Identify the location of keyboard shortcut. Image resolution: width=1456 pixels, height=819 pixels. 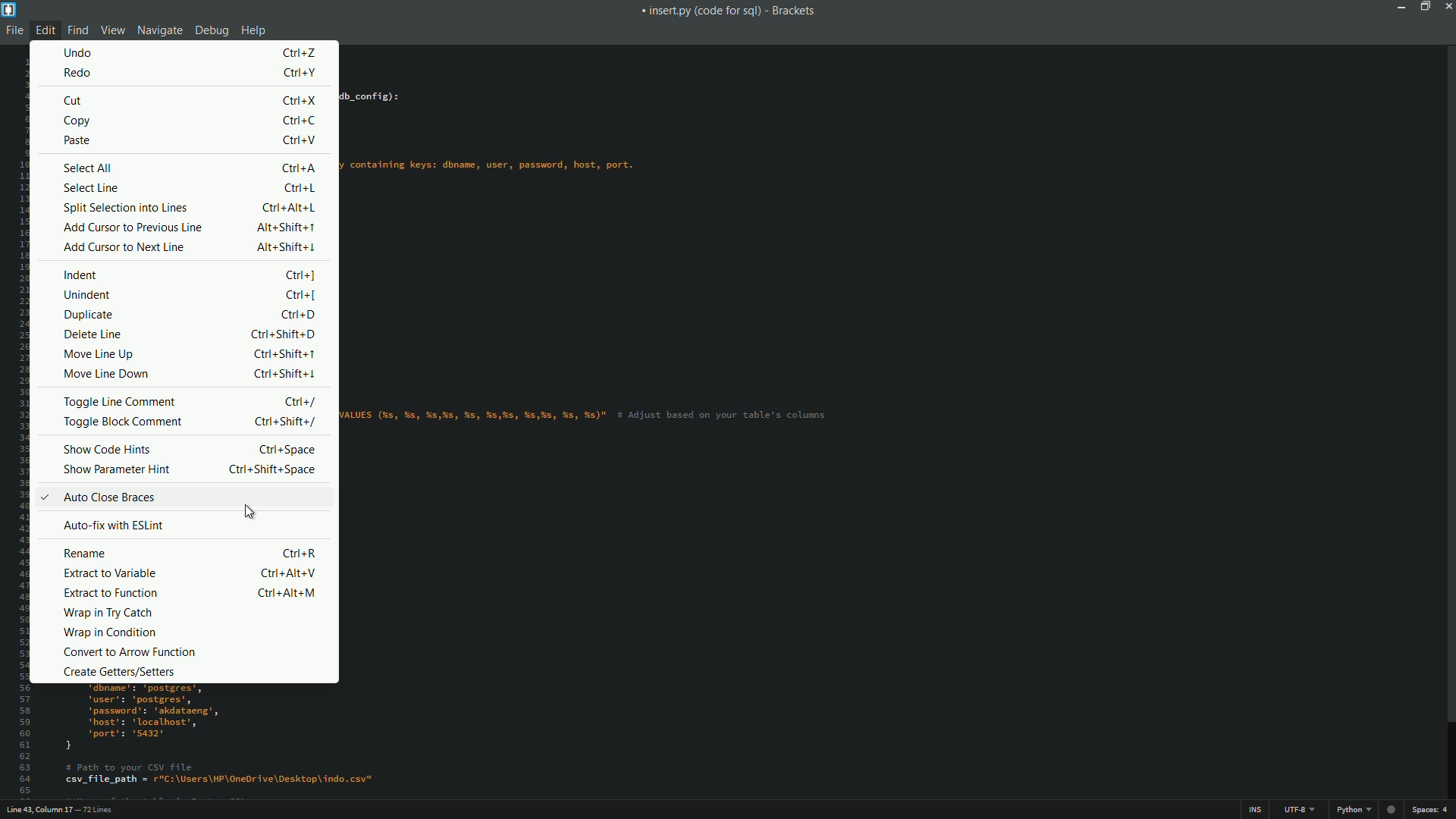
(297, 315).